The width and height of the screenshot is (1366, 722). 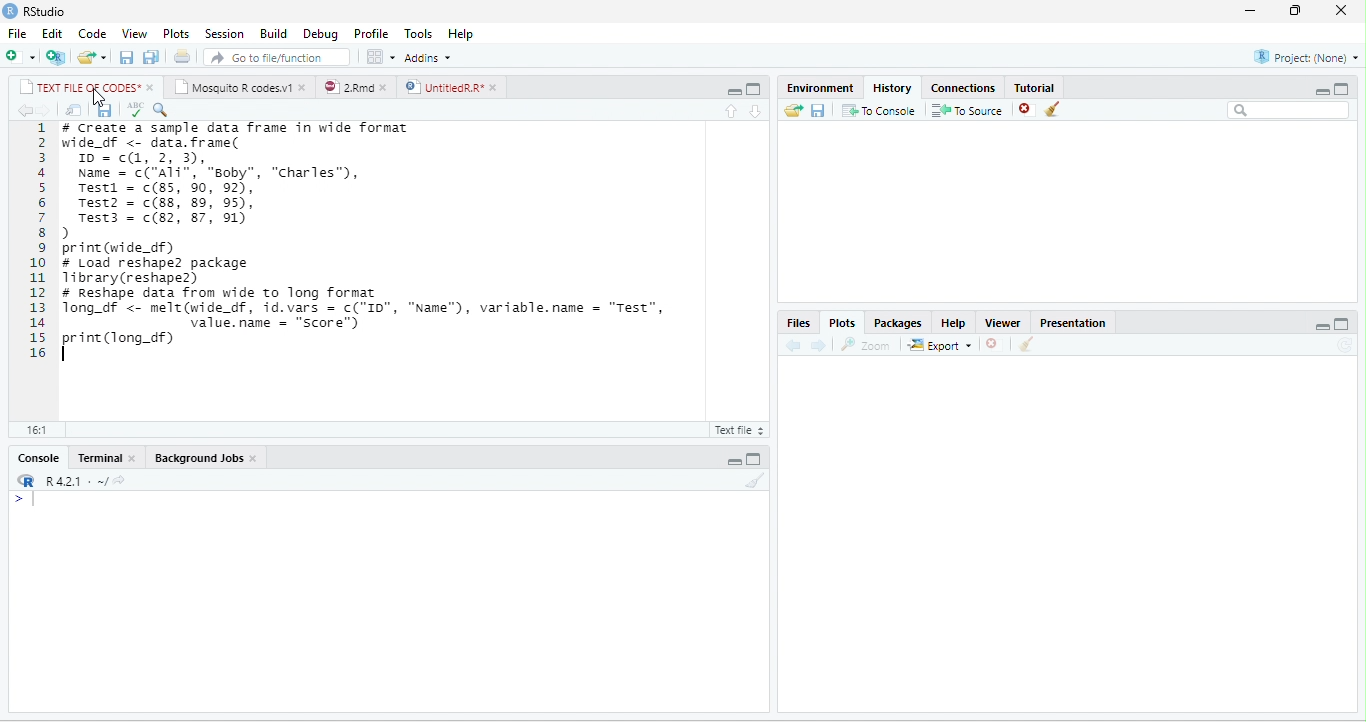 What do you see at coordinates (963, 88) in the screenshot?
I see `Connections` at bounding box center [963, 88].